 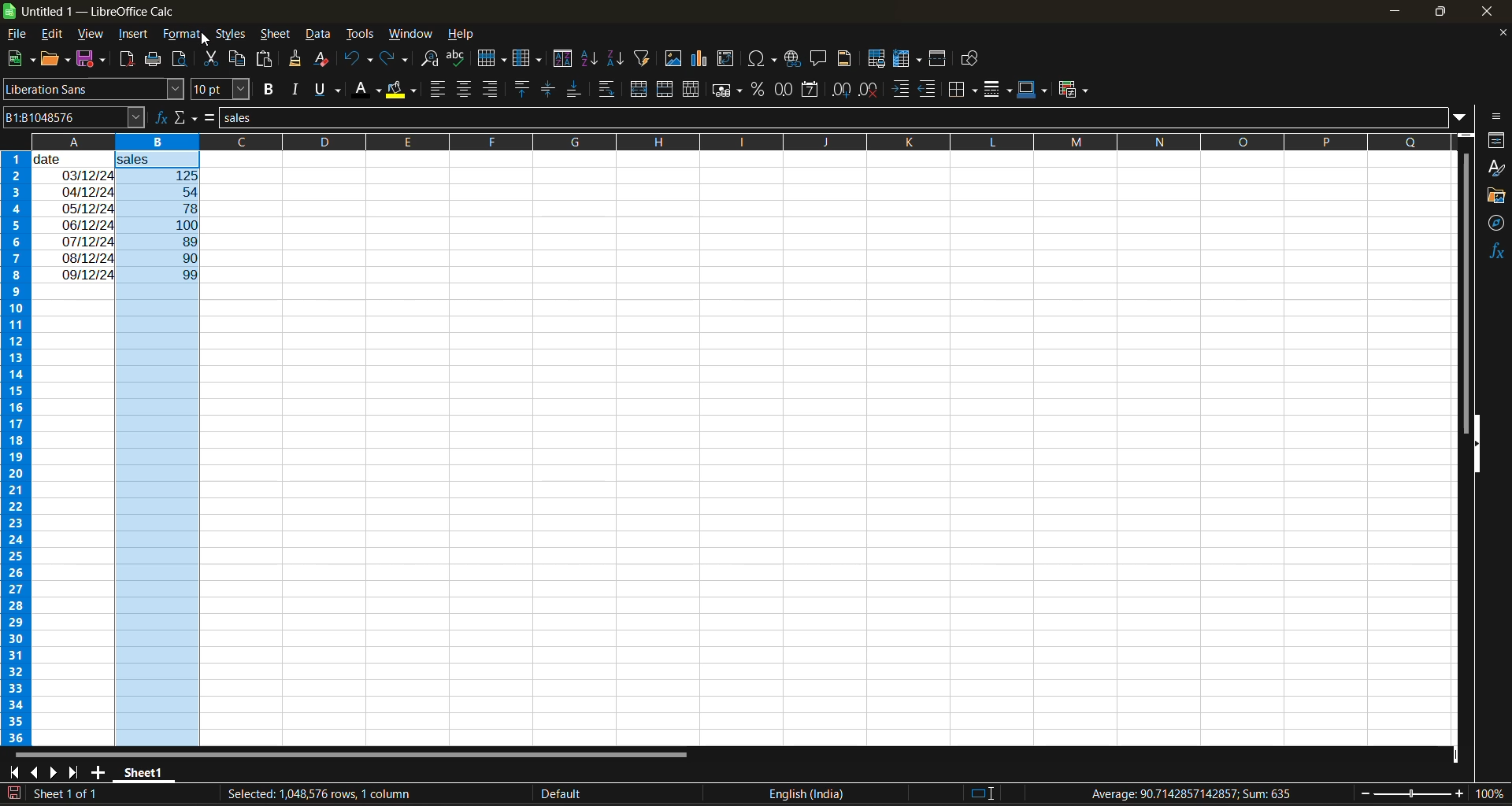 What do you see at coordinates (213, 57) in the screenshot?
I see `cut` at bounding box center [213, 57].